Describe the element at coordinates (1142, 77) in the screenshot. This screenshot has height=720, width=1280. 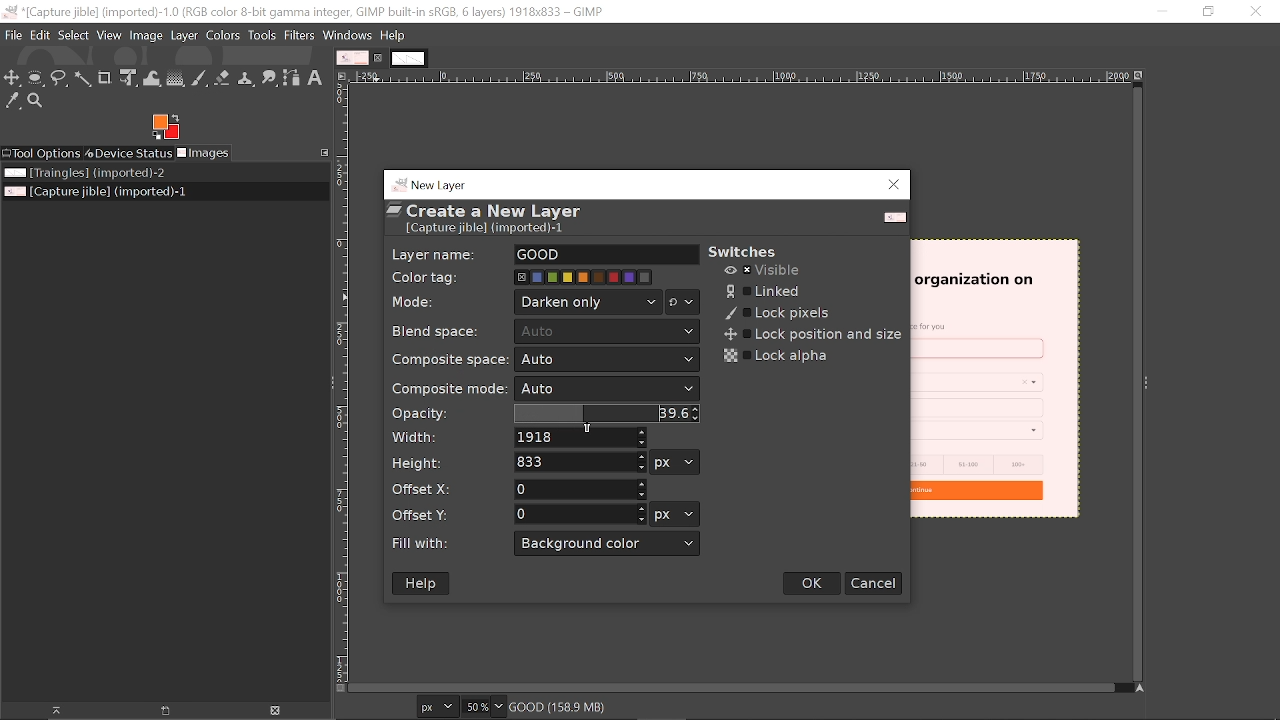
I see `Zoom when window size changes` at that location.